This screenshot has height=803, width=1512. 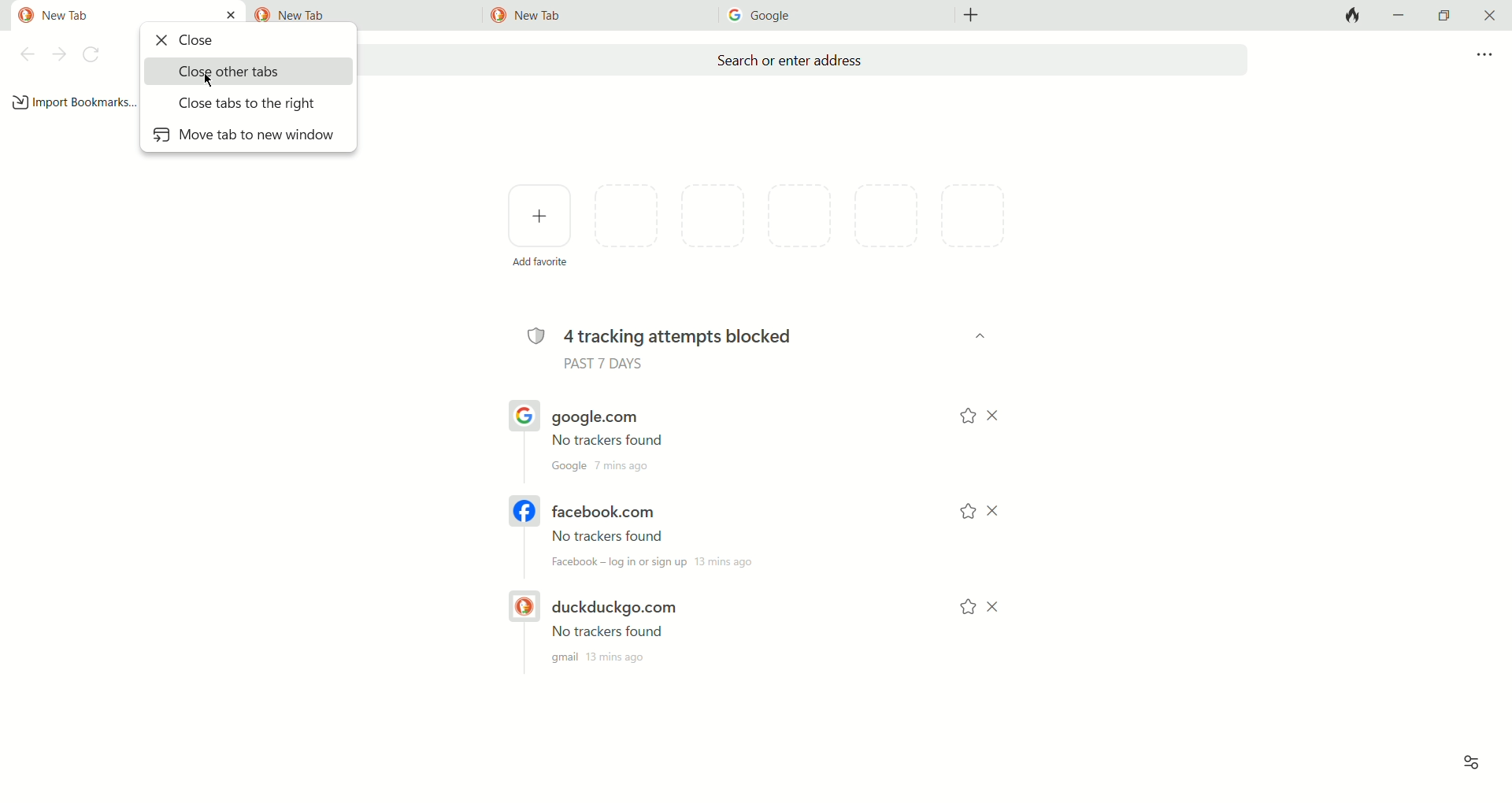 I want to click on current tab, so click(x=124, y=14).